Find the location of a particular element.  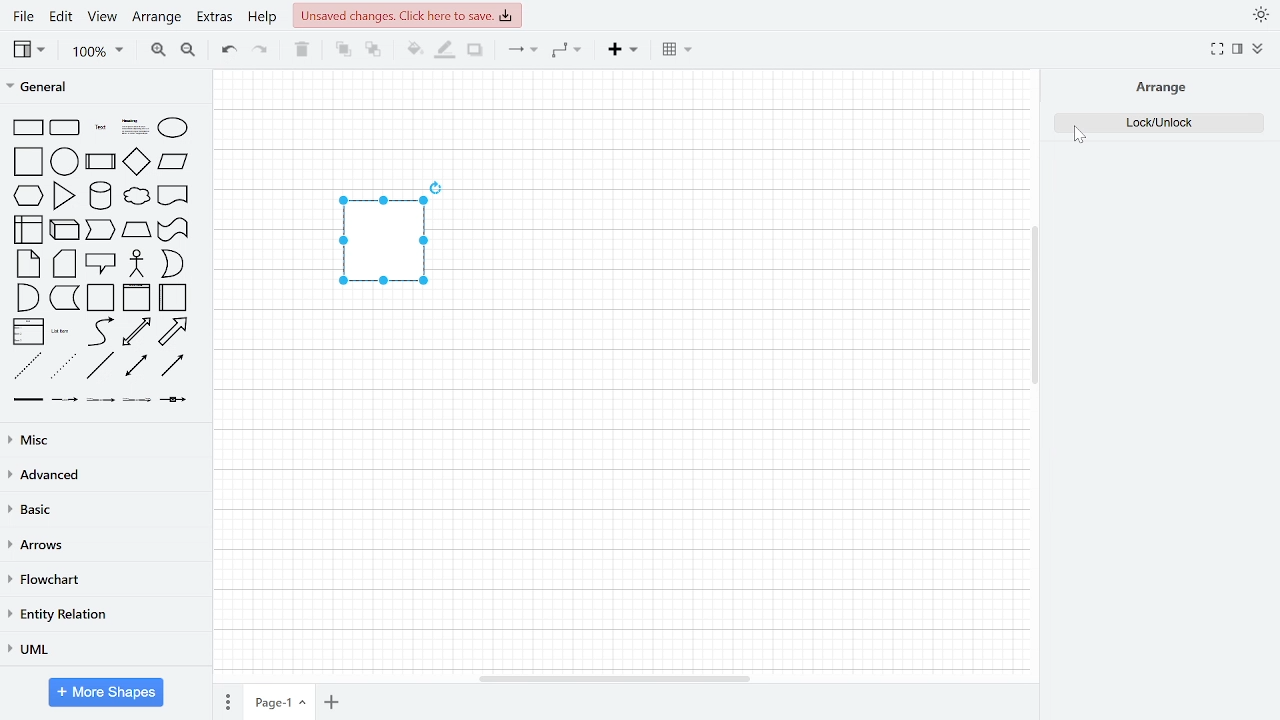

connector with symbol is located at coordinates (171, 402).